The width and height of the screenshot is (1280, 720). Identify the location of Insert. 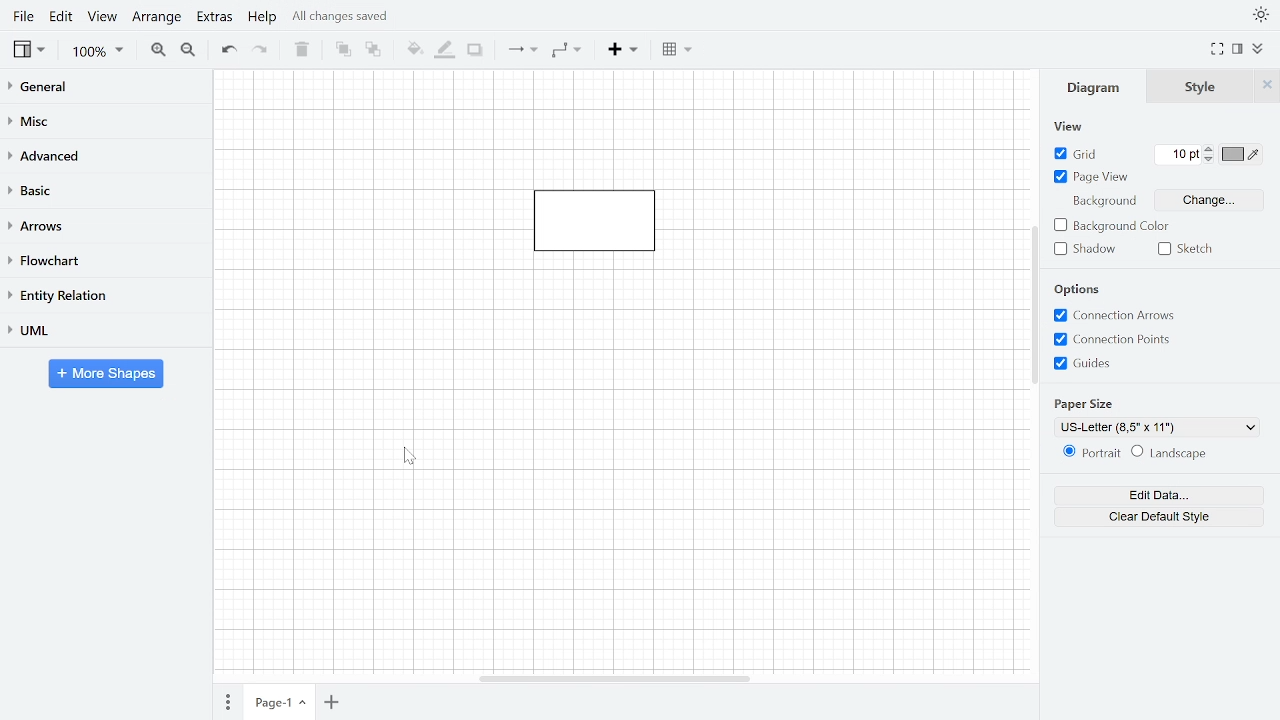
(626, 51).